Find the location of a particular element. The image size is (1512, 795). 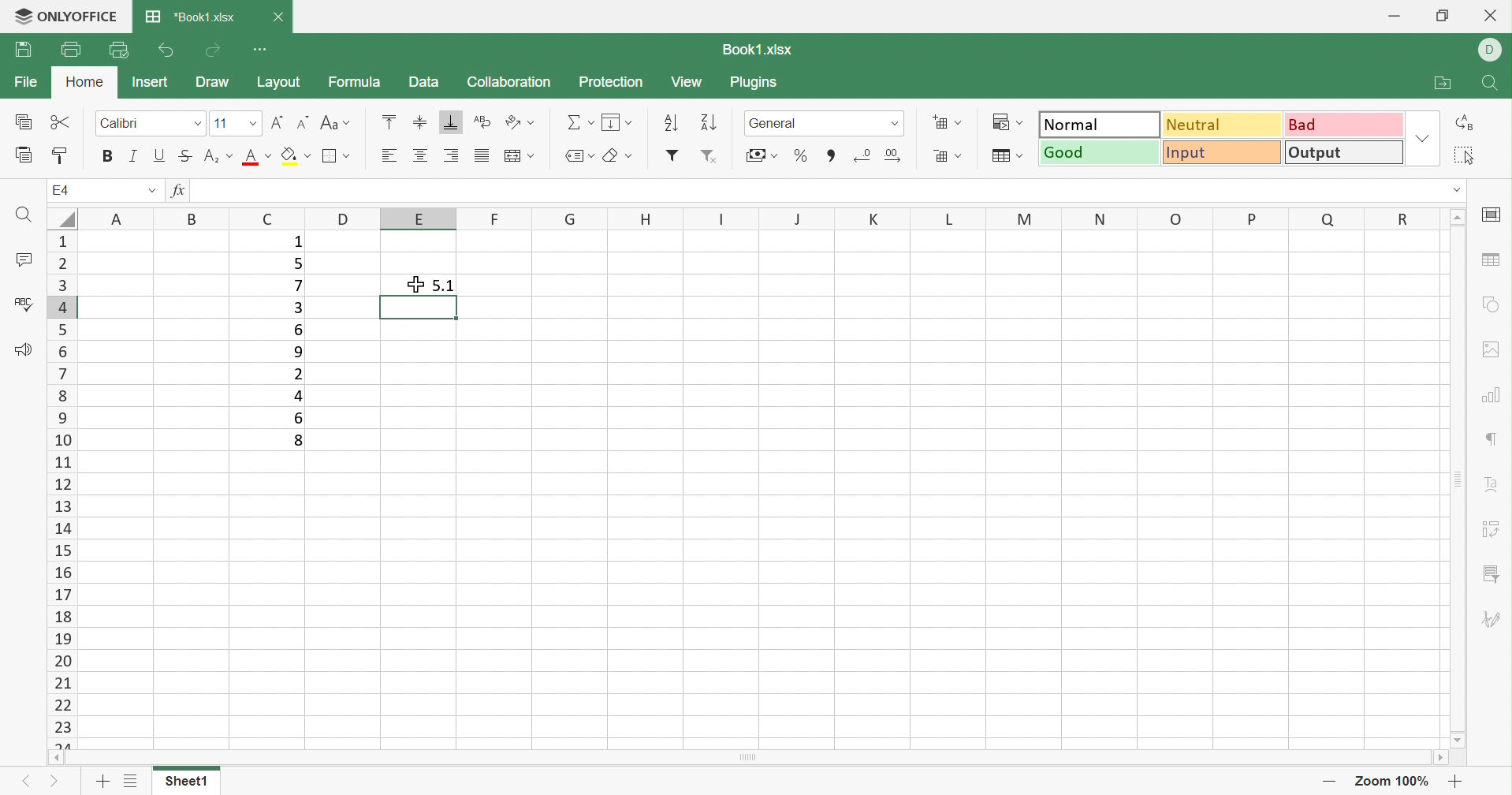

Scroll Down is located at coordinates (1452, 739).